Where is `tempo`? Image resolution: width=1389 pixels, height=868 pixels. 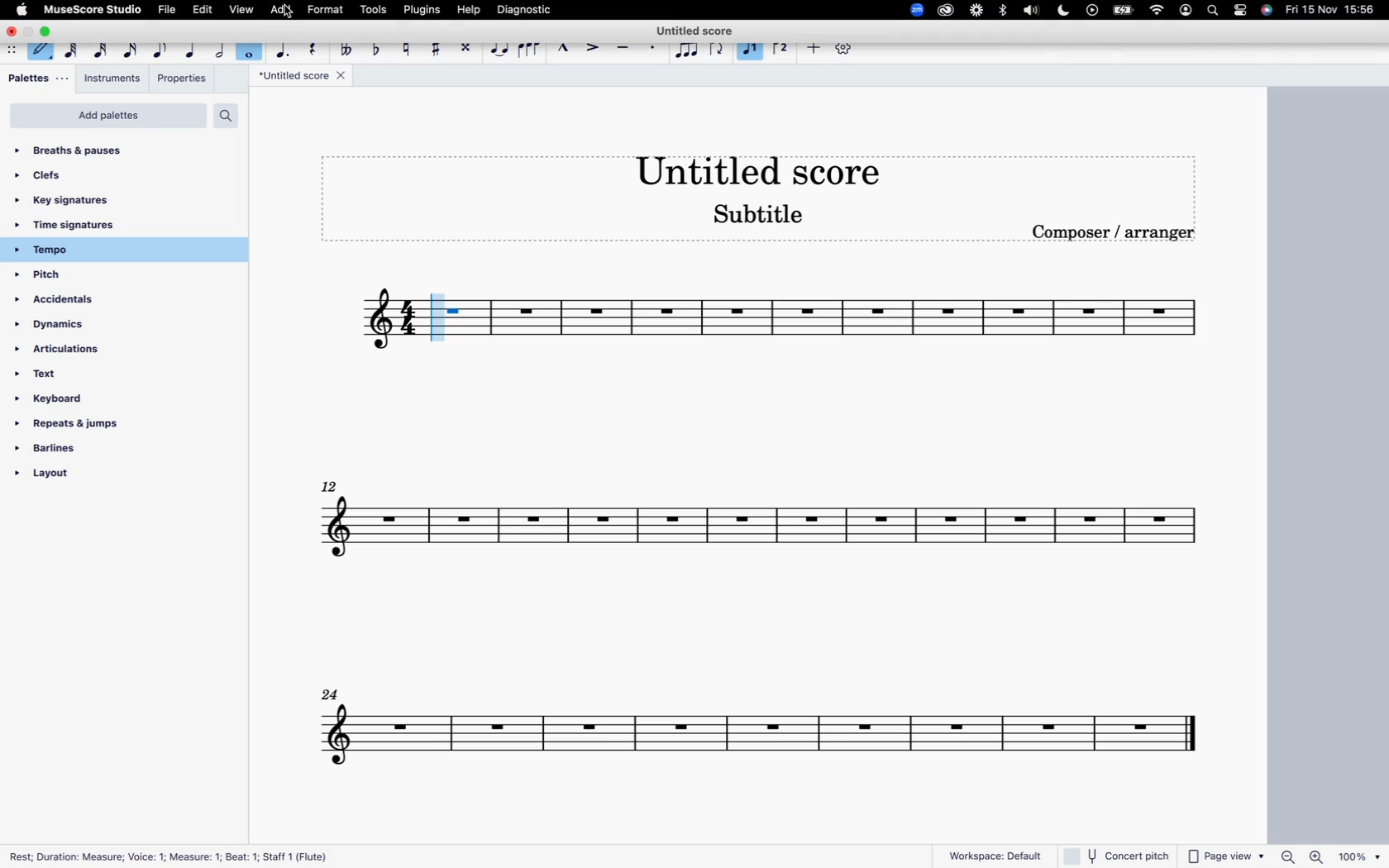 tempo is located at coordinates (118, 250).